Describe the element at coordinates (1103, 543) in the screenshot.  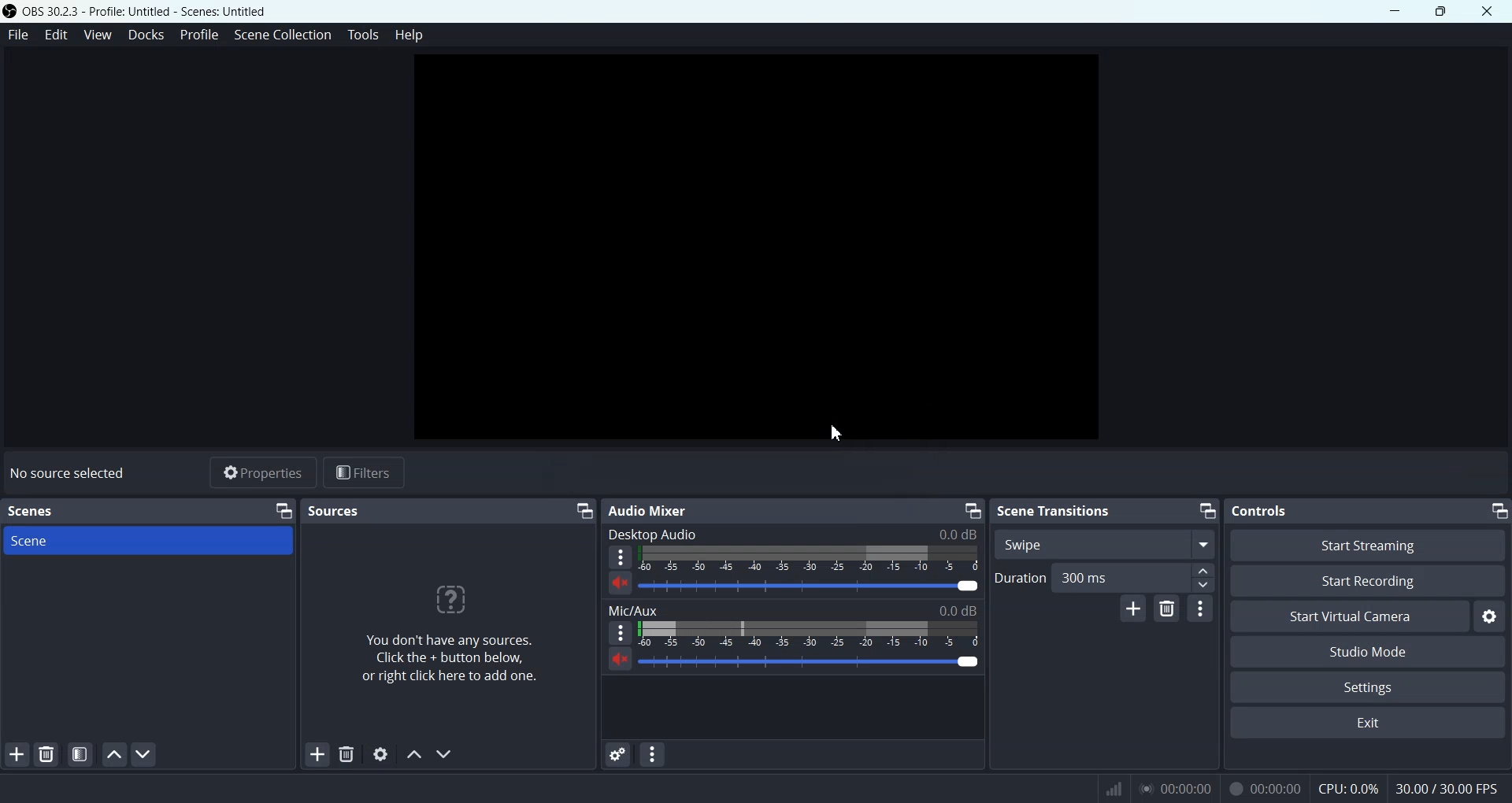
I see `Swipe` at that location.